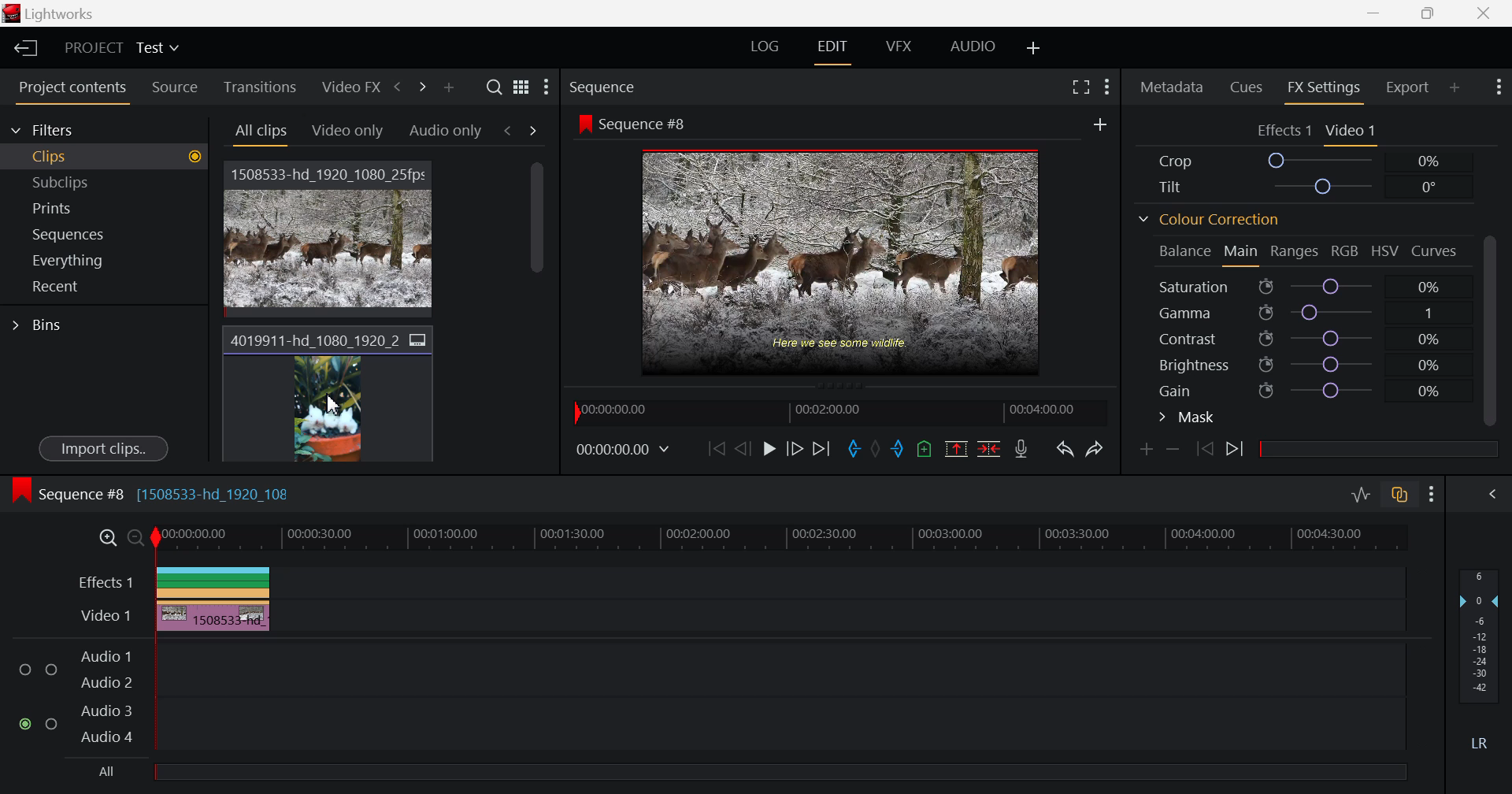  I want to click on Previous keyframe, so click(1206, 451).